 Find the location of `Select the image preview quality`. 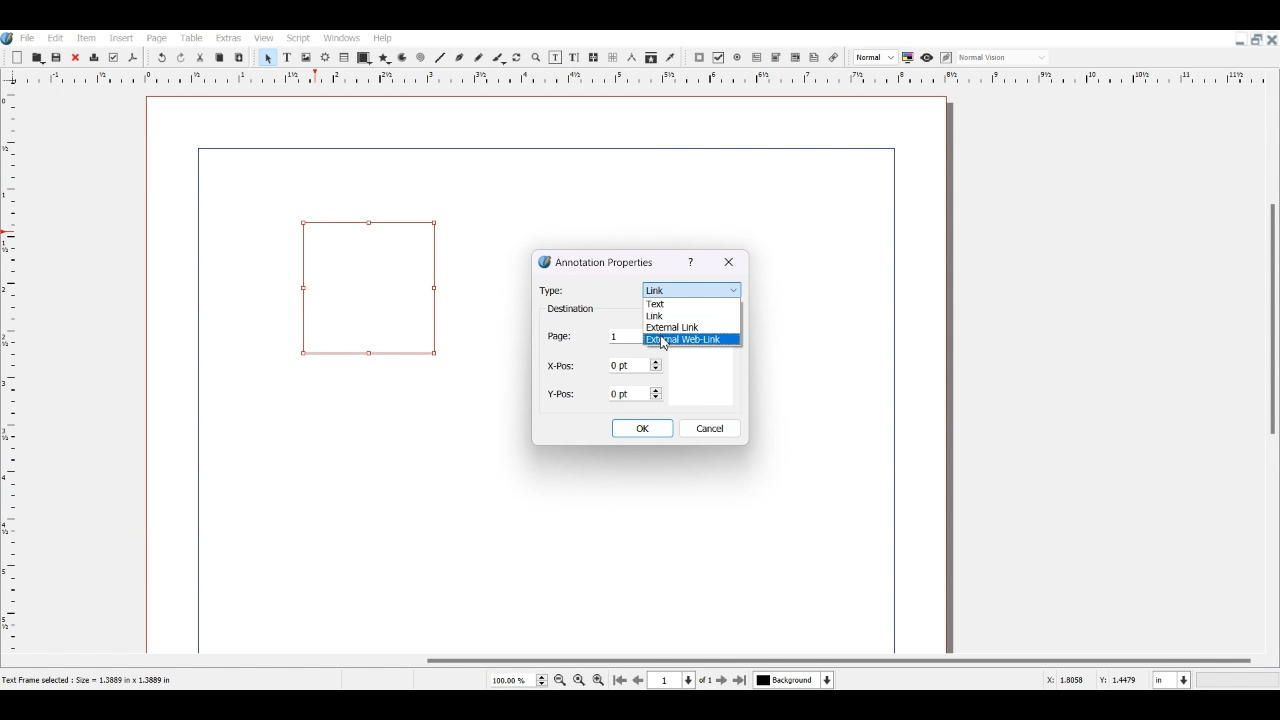

Select the image preview quality is located at coordinates (874, 57).